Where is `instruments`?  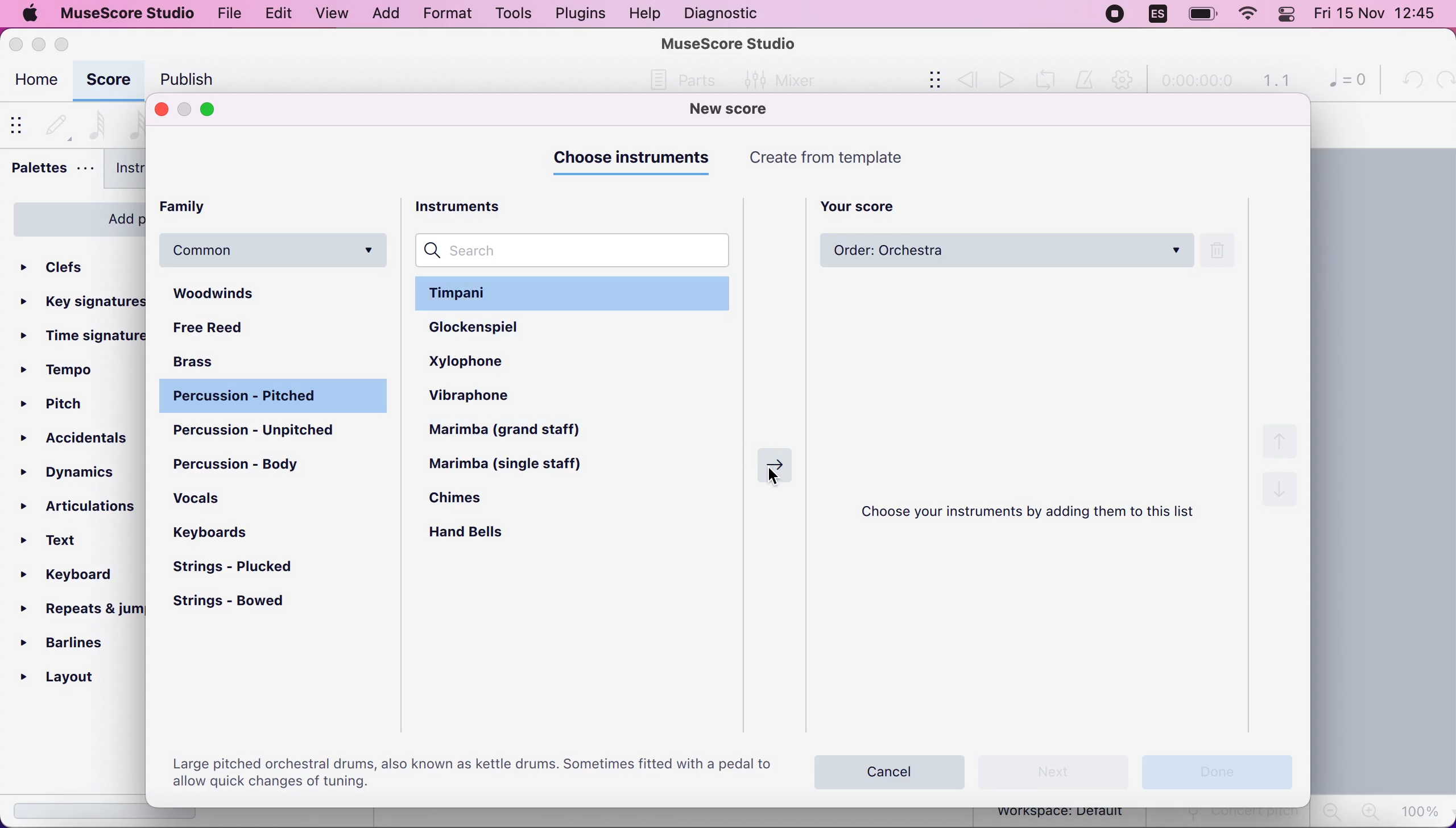
instruments is located at coordinates (149, 171).